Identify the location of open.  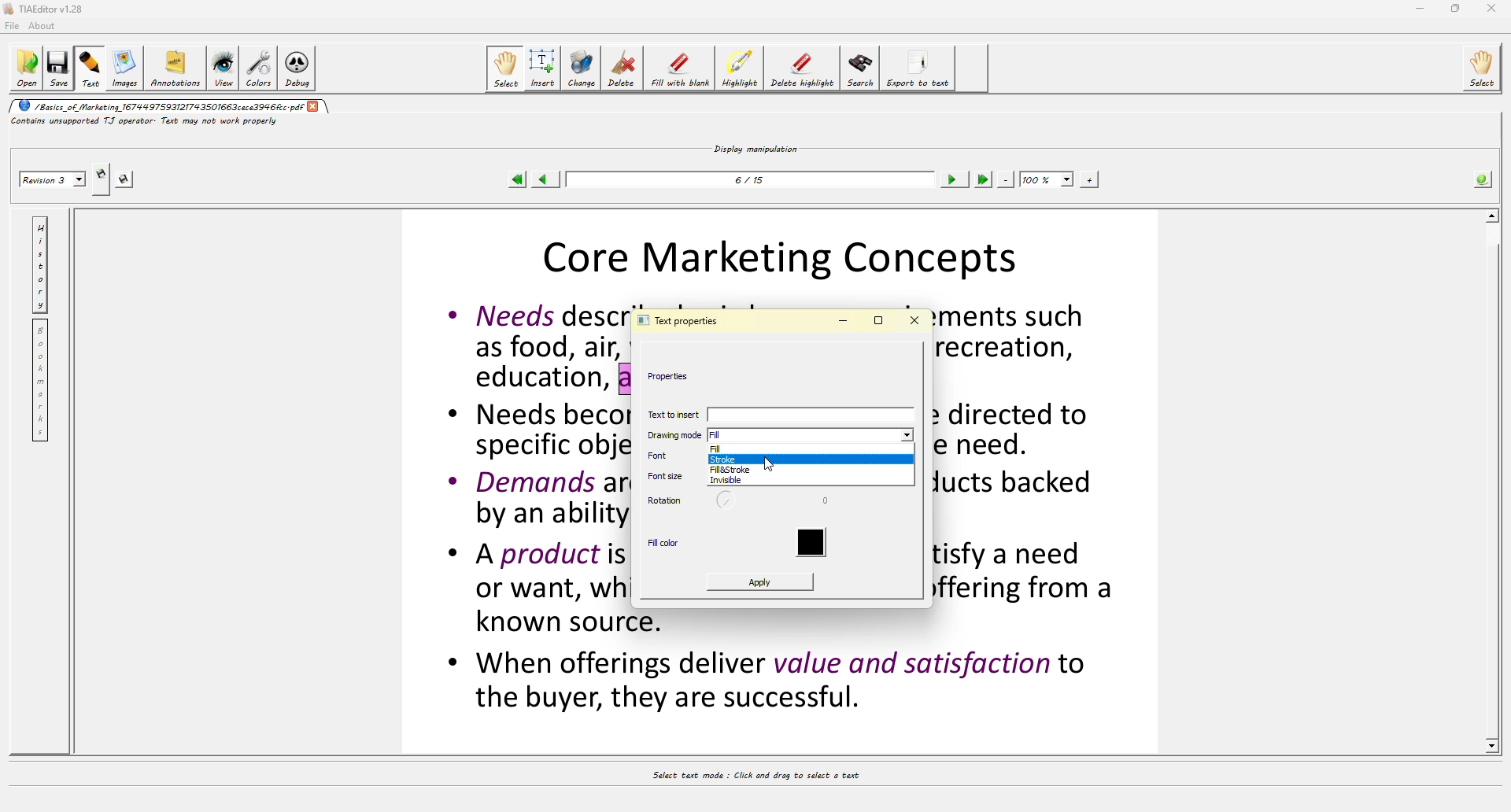
(24, 68).